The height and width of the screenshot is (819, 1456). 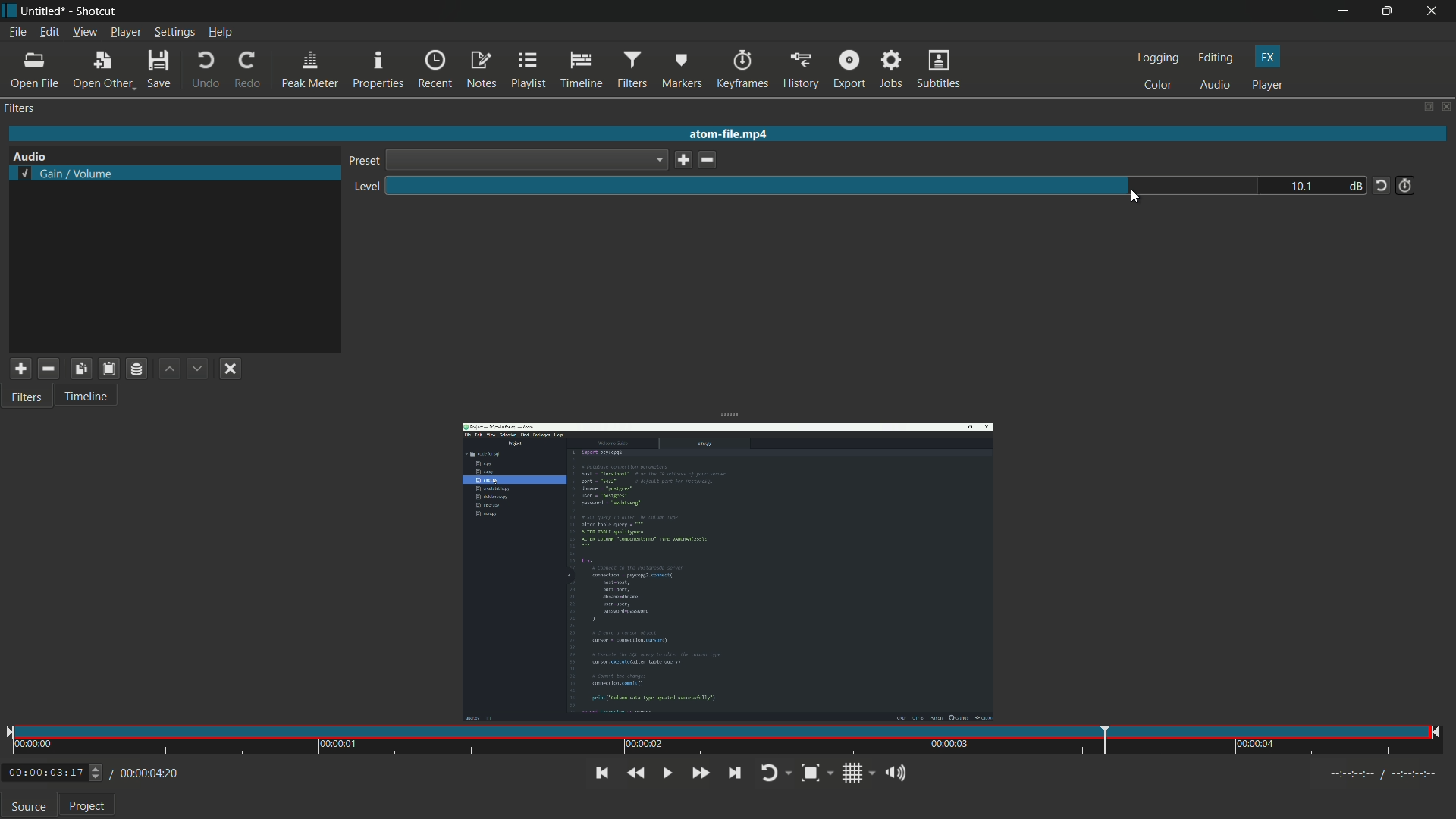 What do you see at coordinates (20, 369) in the screenshot?
I see `add filter` at bounding box center [20, 369].